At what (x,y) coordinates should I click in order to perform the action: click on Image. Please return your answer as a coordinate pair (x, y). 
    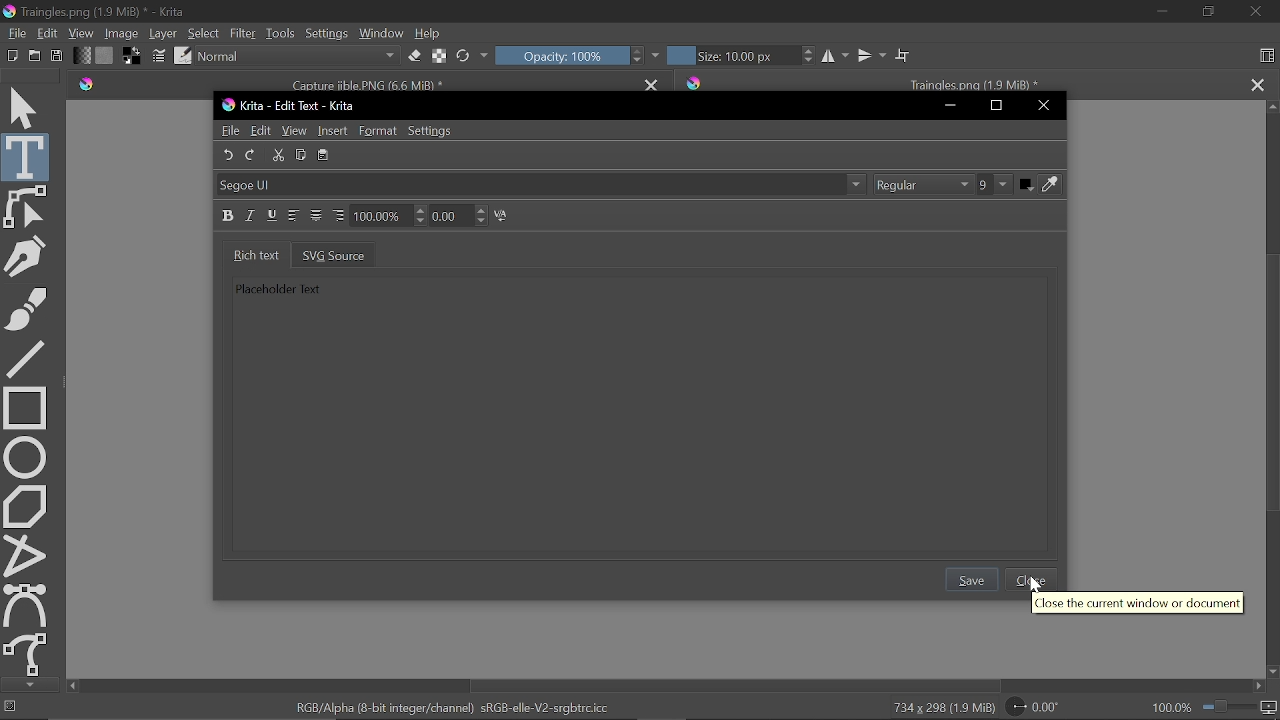
    Looking at the image, I should click on (120, 34).